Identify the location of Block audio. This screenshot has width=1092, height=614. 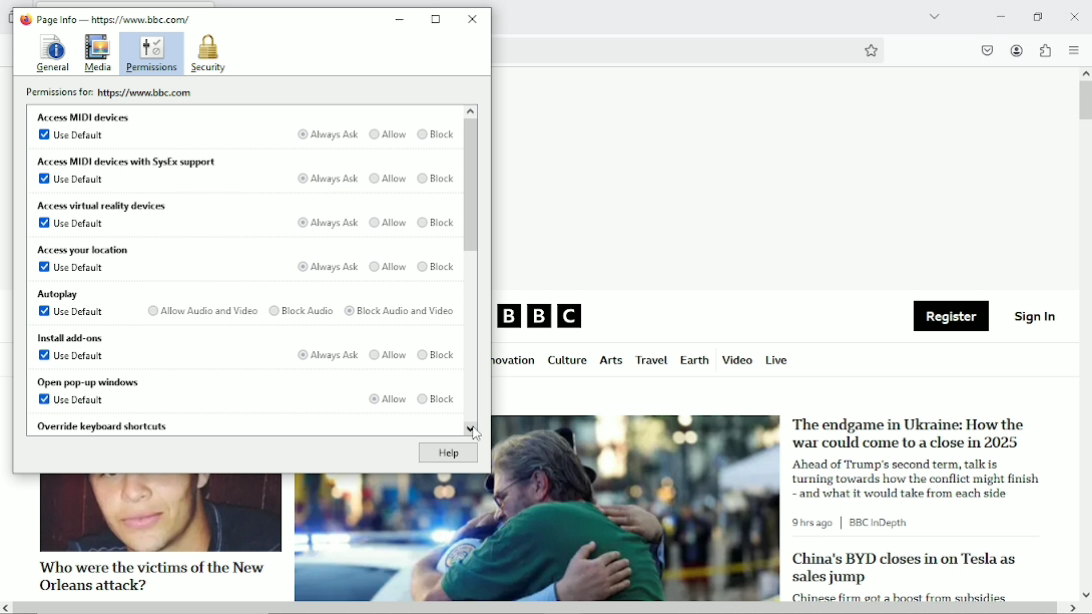
(302, 310).